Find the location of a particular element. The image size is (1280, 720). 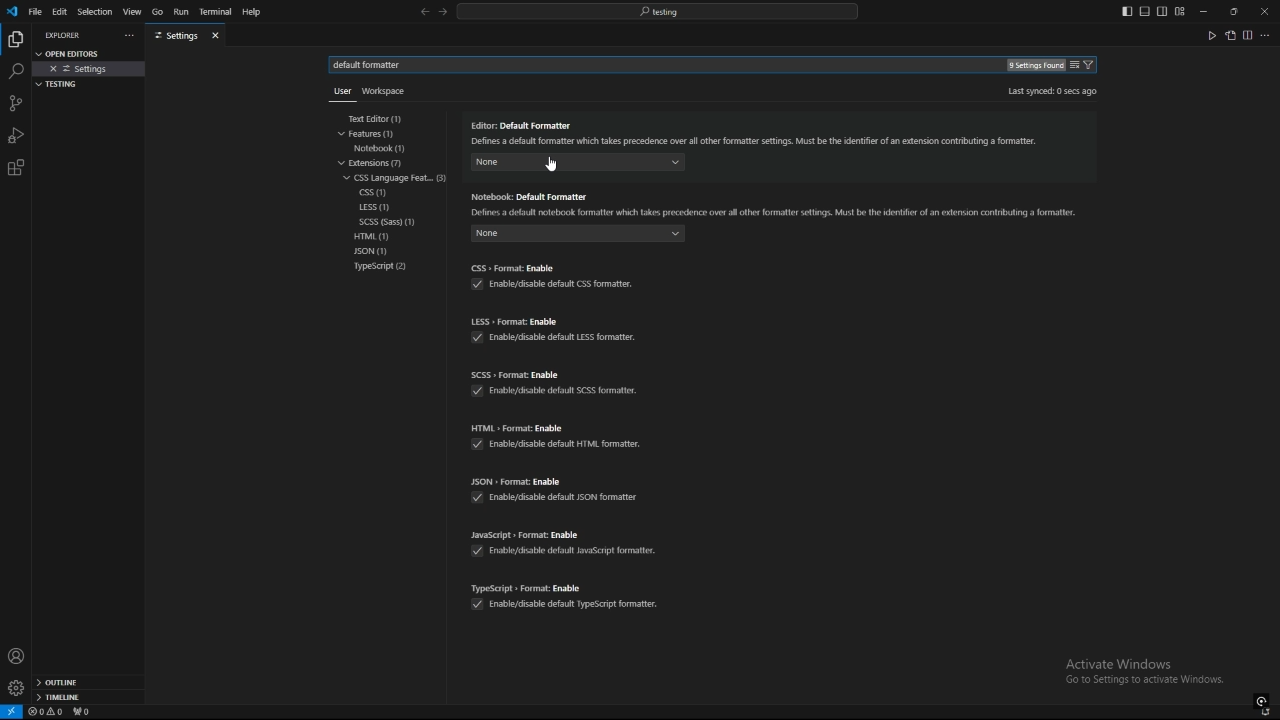

none is located at coordinates (577, 236).